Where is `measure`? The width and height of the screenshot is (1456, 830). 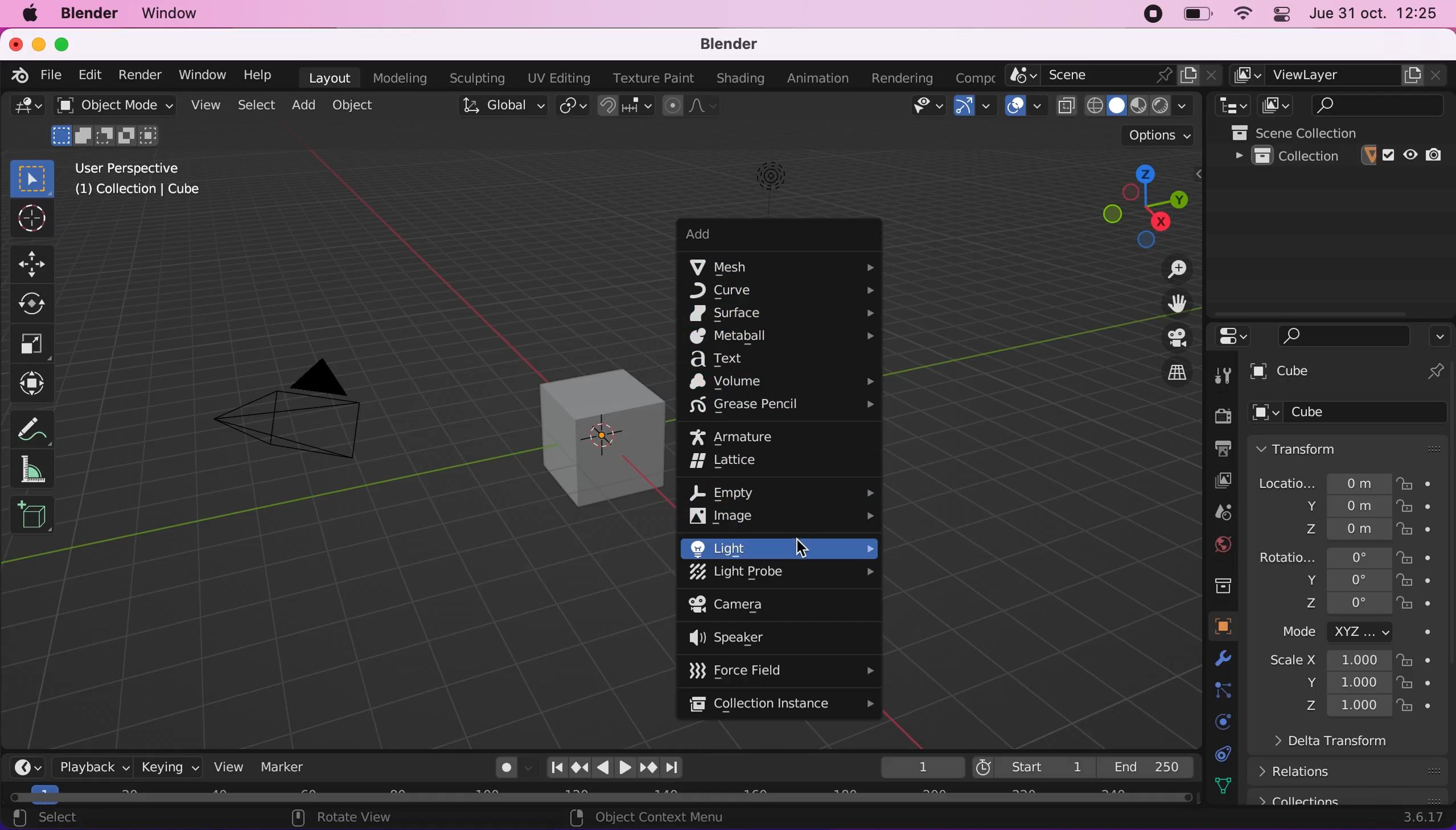 measure is located at coordinates (40, 425).